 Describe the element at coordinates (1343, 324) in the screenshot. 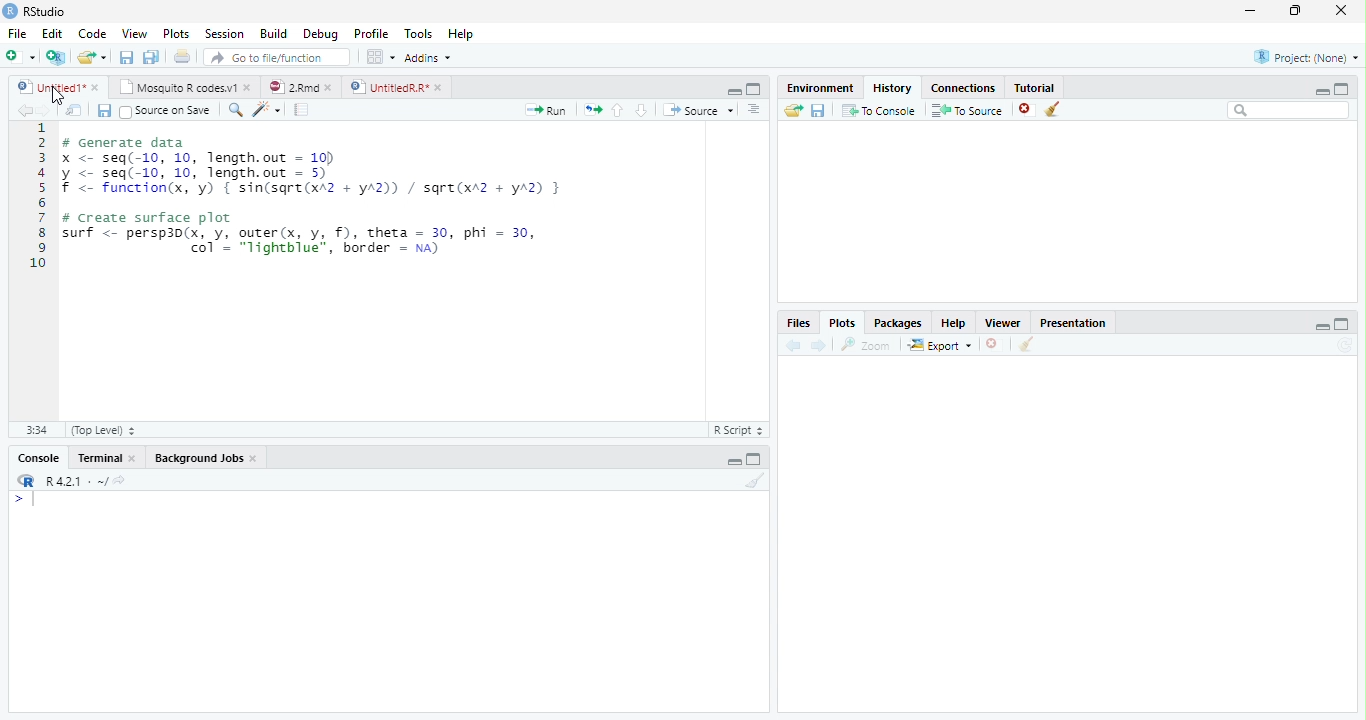

I see `maximize` at that location.